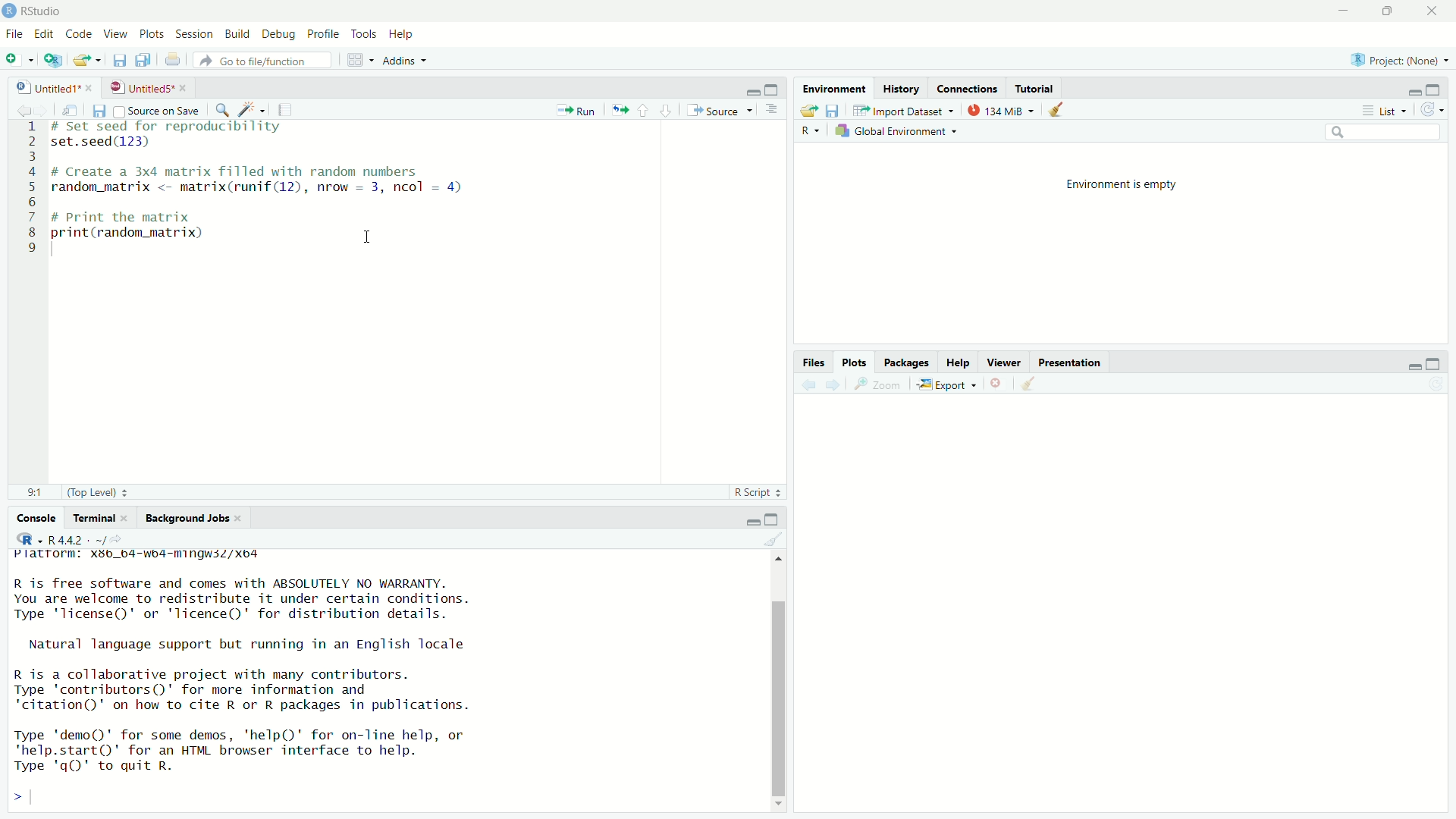  I want to click on Presentation, so click(1073, 364).